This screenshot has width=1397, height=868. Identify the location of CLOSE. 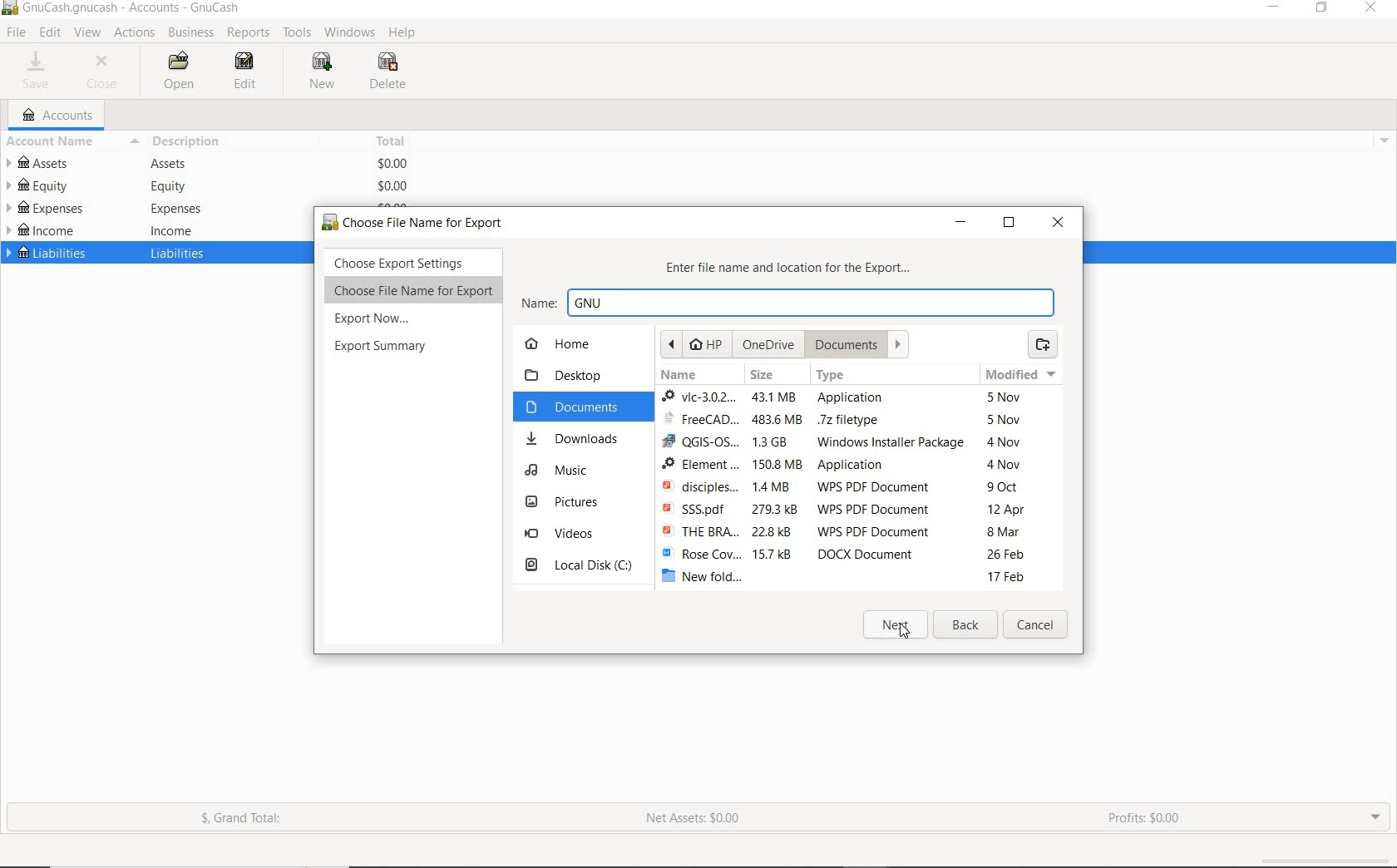
(106, 71).